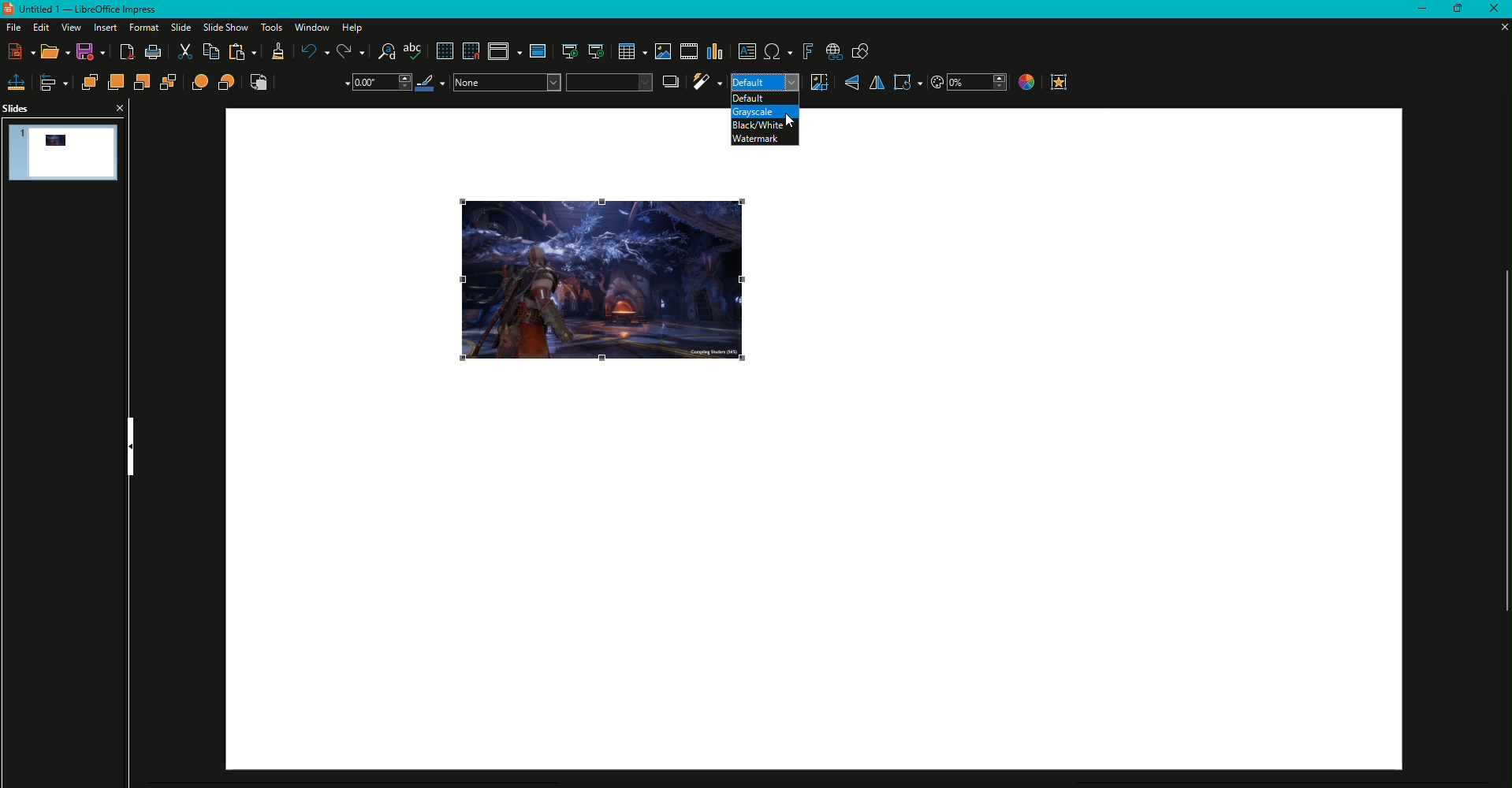 The image size is (1512, 788). I want to click on Shadow, so click(672, 81).